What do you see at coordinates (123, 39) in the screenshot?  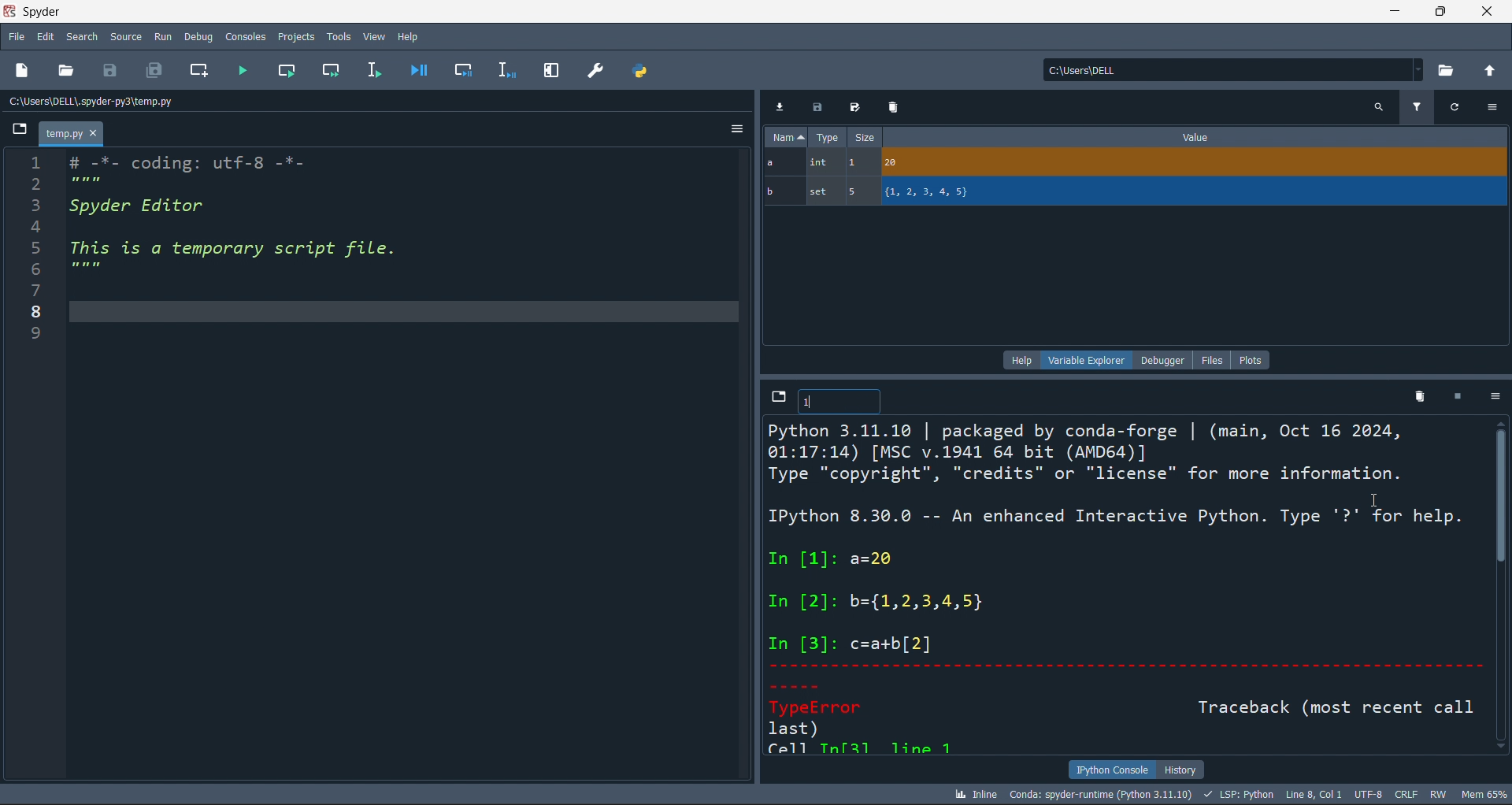 I see `source` at bounding box center [123, 39].